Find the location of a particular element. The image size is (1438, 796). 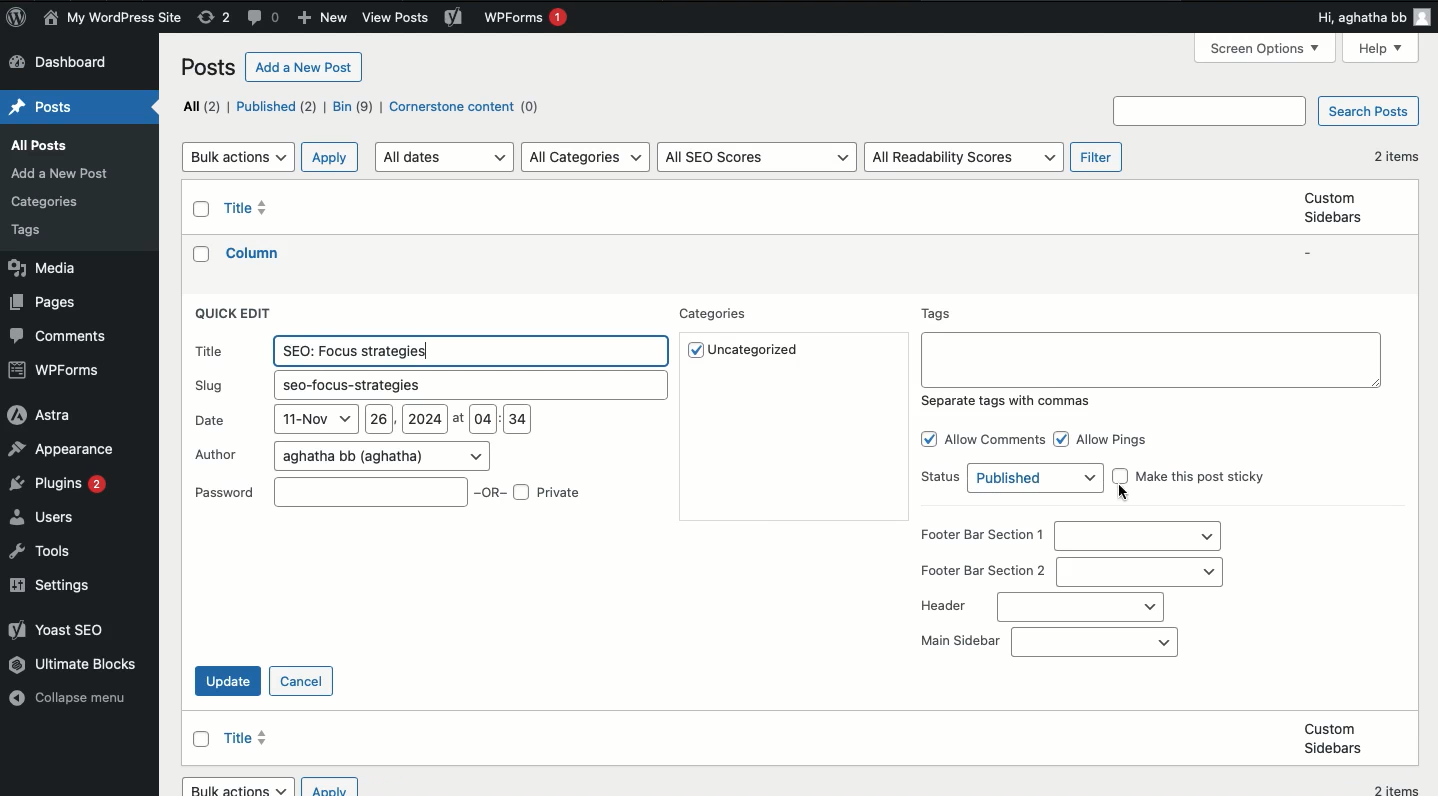

Settings is located at coordinates (55, 586).